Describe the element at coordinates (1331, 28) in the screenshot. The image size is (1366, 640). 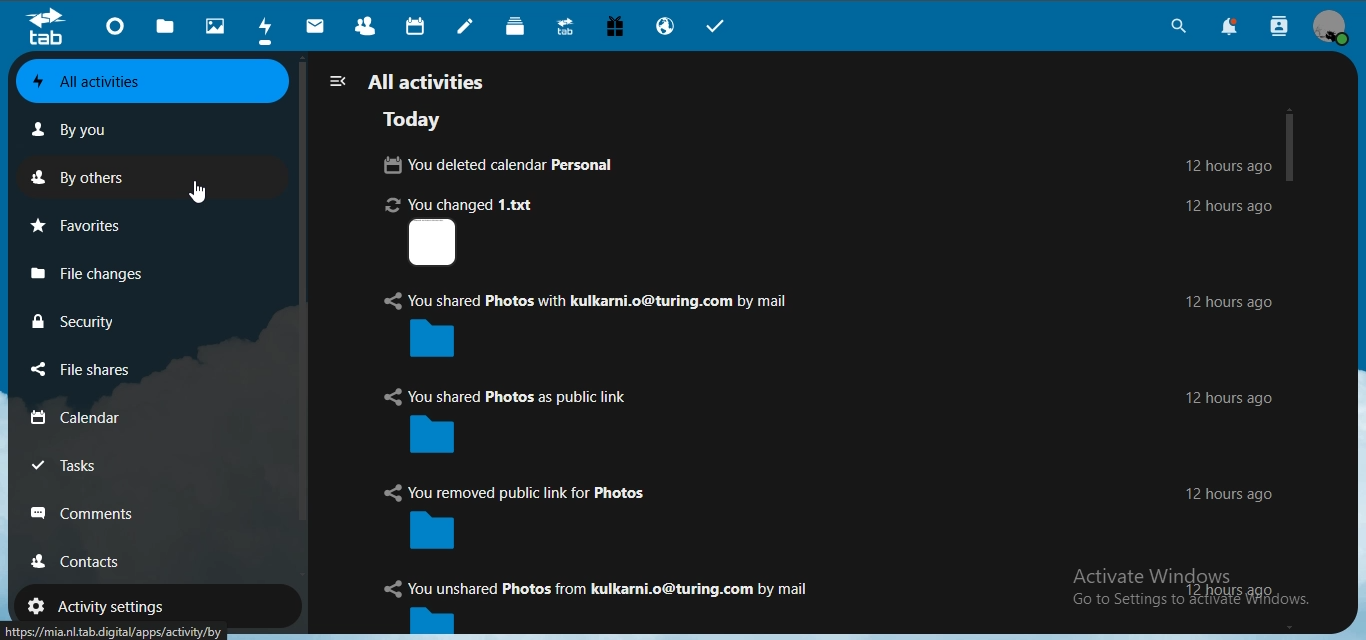
I see `view profile` at that location.